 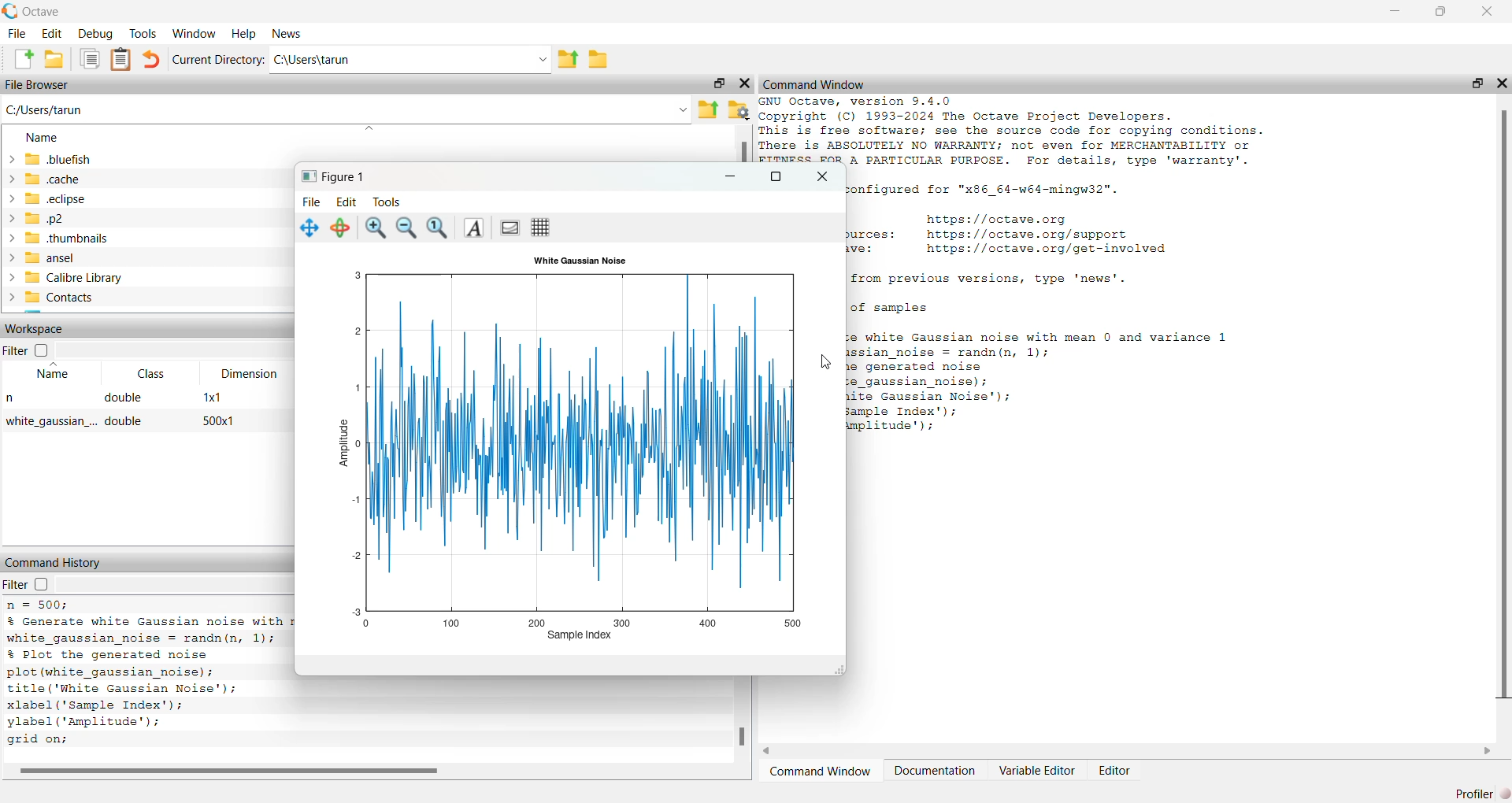 I want to click on zoom out, so click(x=406, y=229).